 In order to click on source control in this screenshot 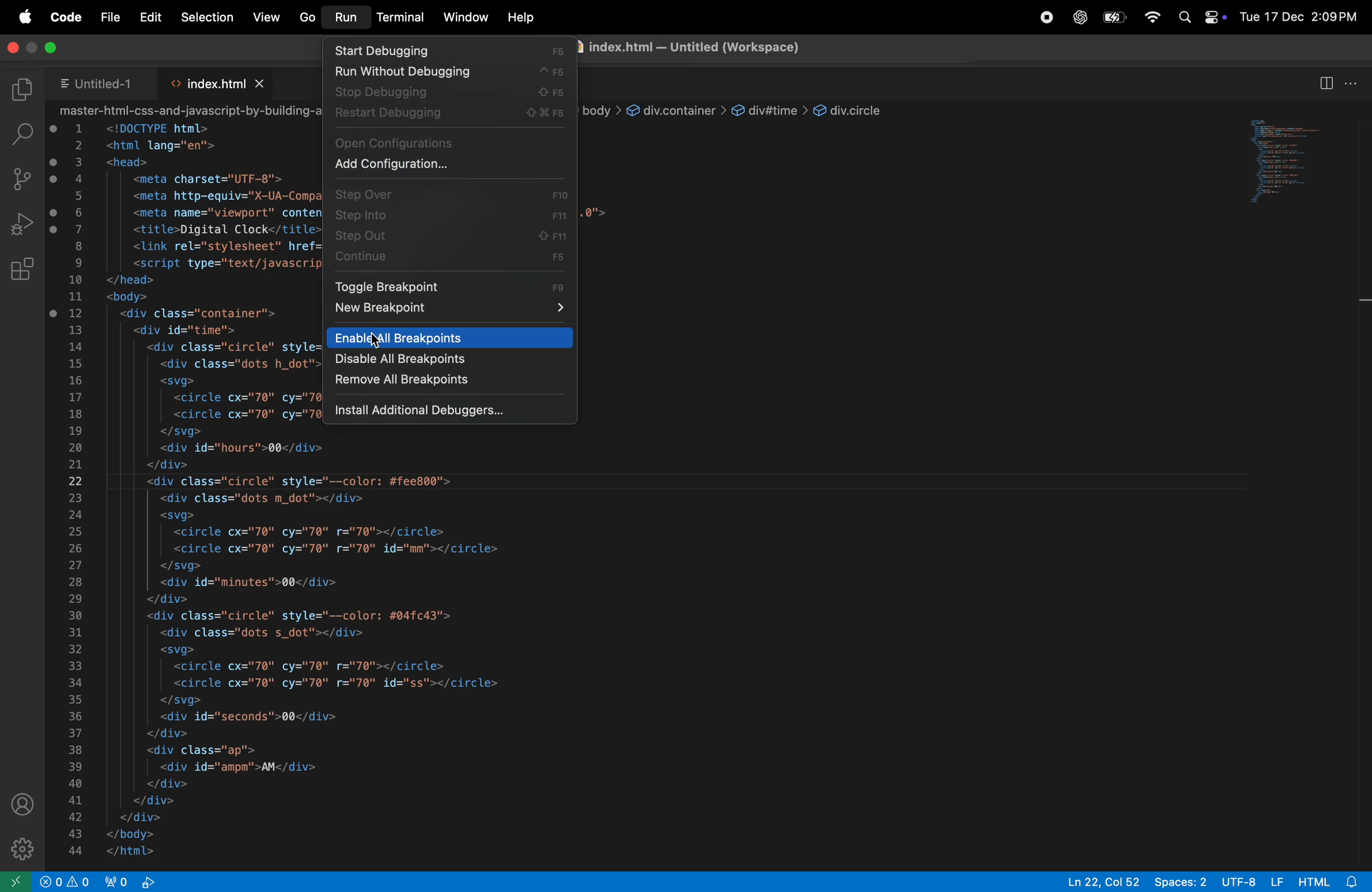, I will do `click(20, 179)`.